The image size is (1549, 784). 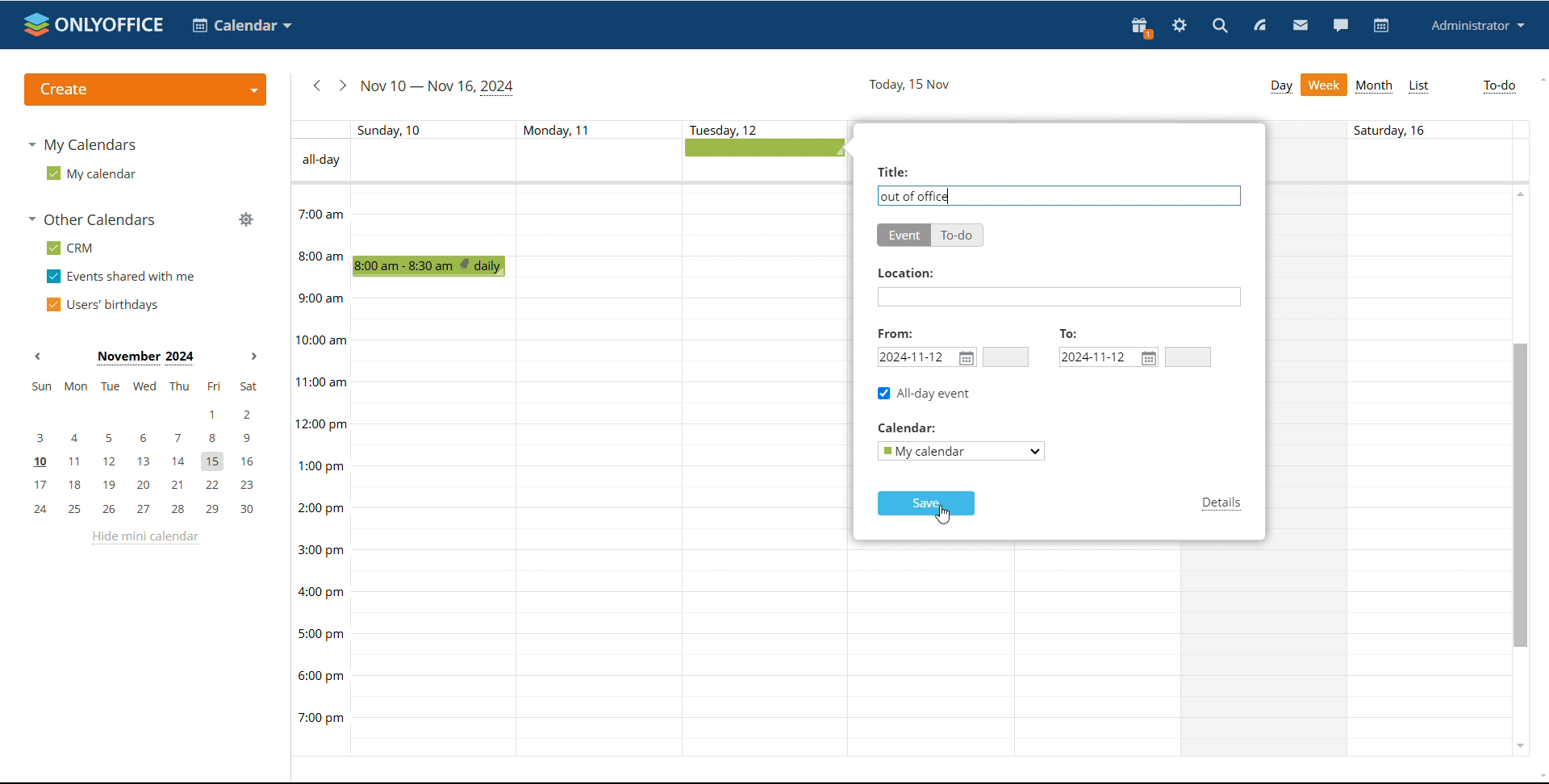 I want to click on 24, 25, 26, 27, 28, 29, 30 , so click(x=150, y=510).